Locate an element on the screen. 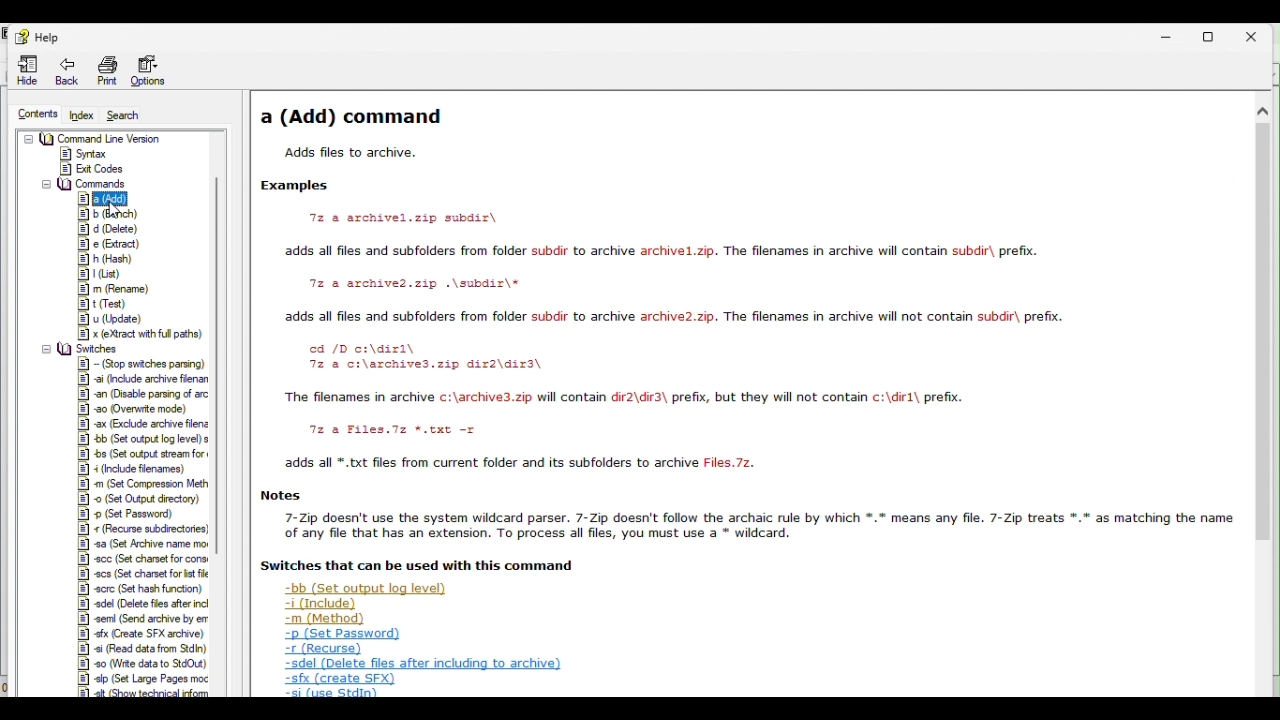 The image size is (1280, 720). text is located at coordinates (384, 429).